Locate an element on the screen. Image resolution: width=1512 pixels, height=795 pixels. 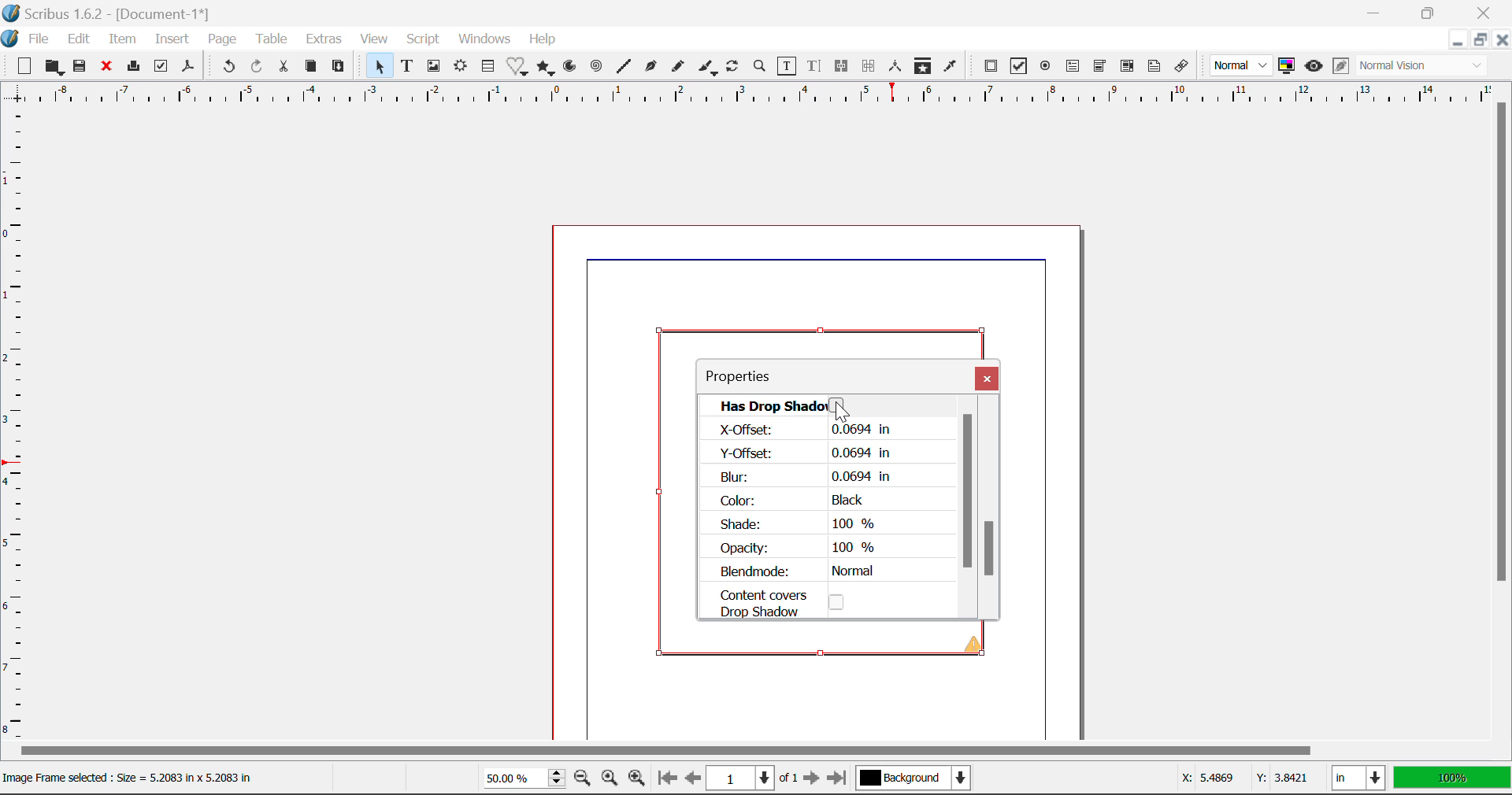
First page is located at coordinates (667, 781).